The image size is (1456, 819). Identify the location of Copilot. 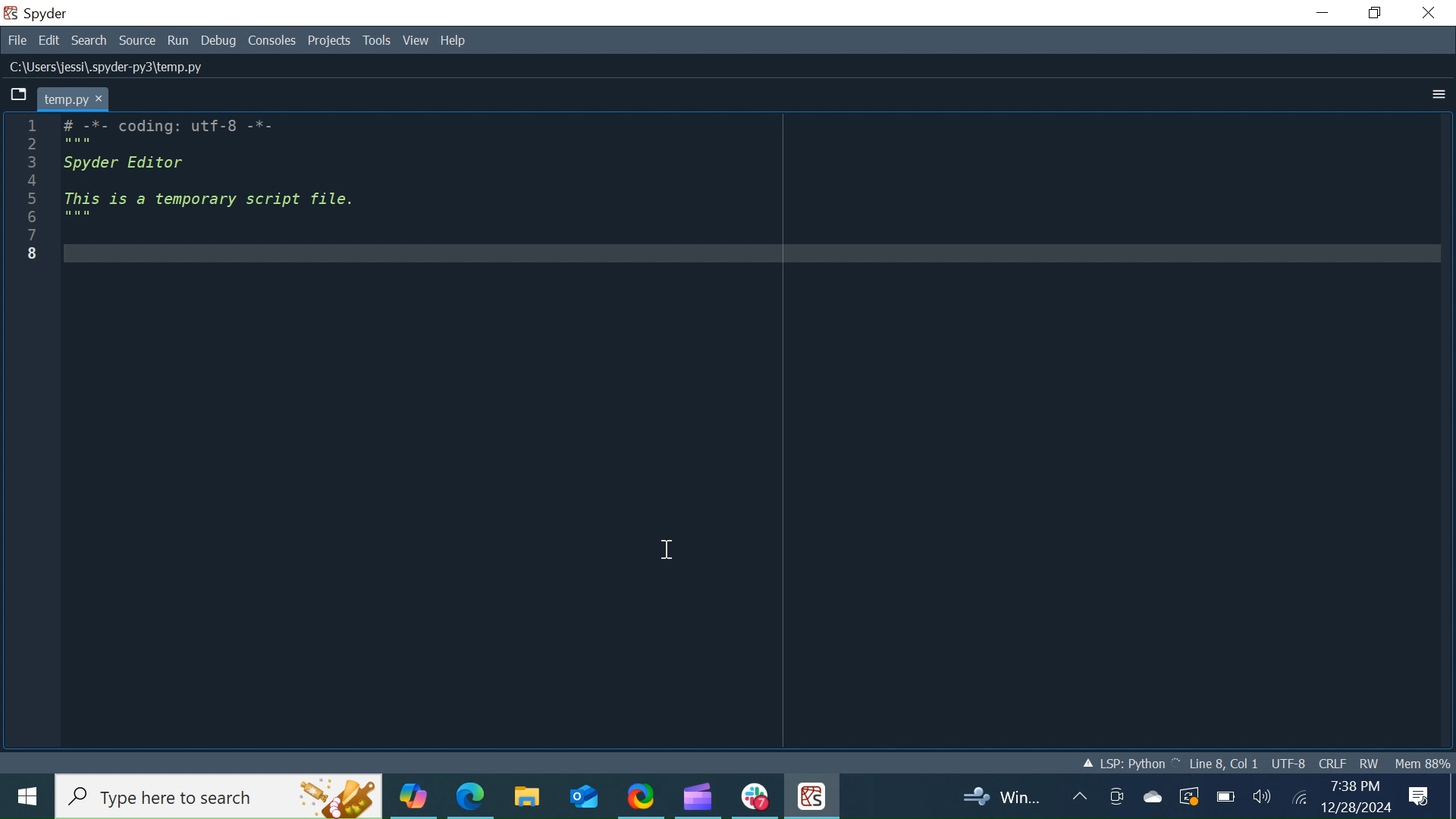
(412, 796).